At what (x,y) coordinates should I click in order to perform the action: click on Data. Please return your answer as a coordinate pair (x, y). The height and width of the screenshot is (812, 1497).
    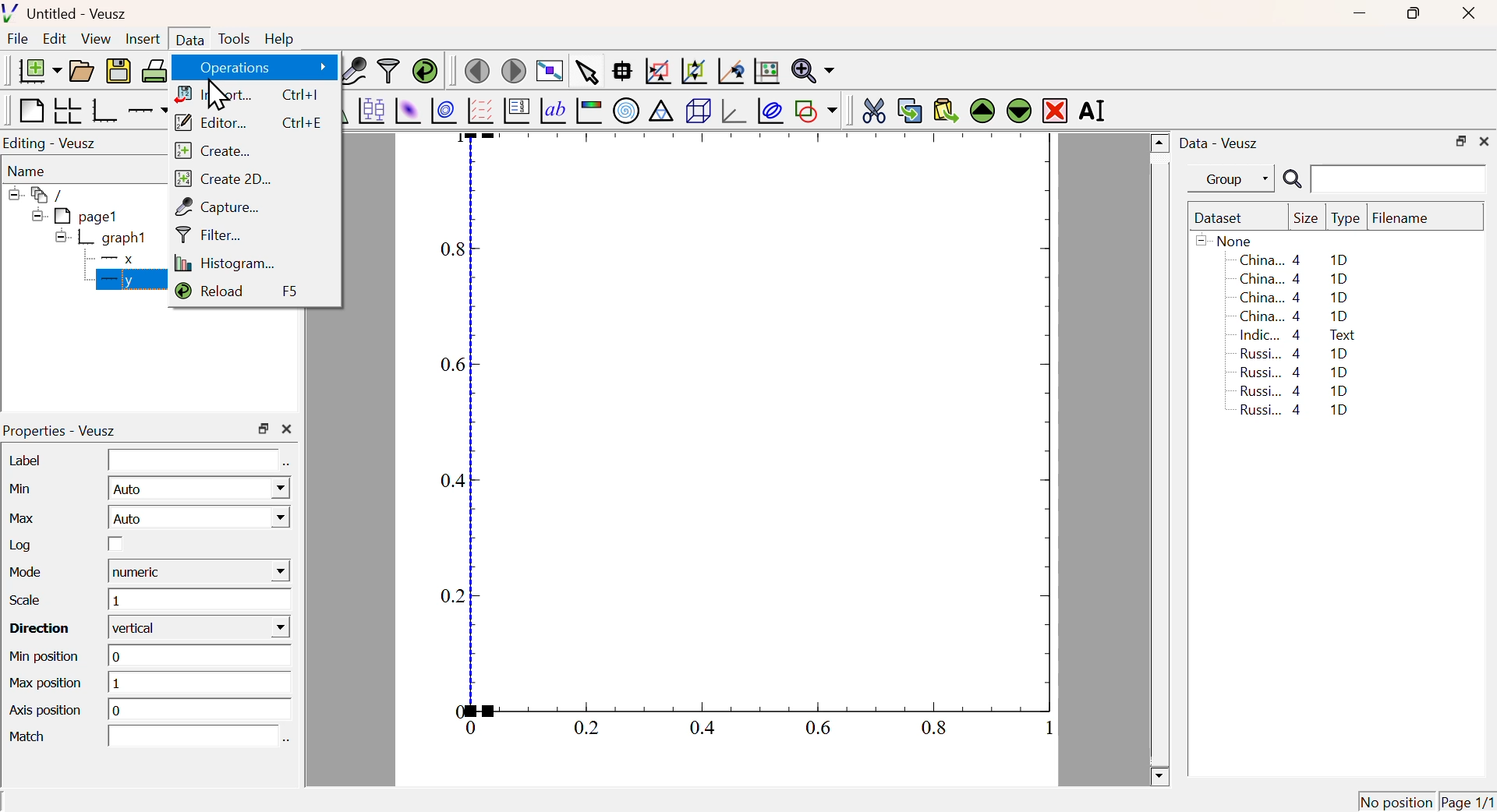
    Looking at the image, I should click on (189, 38).